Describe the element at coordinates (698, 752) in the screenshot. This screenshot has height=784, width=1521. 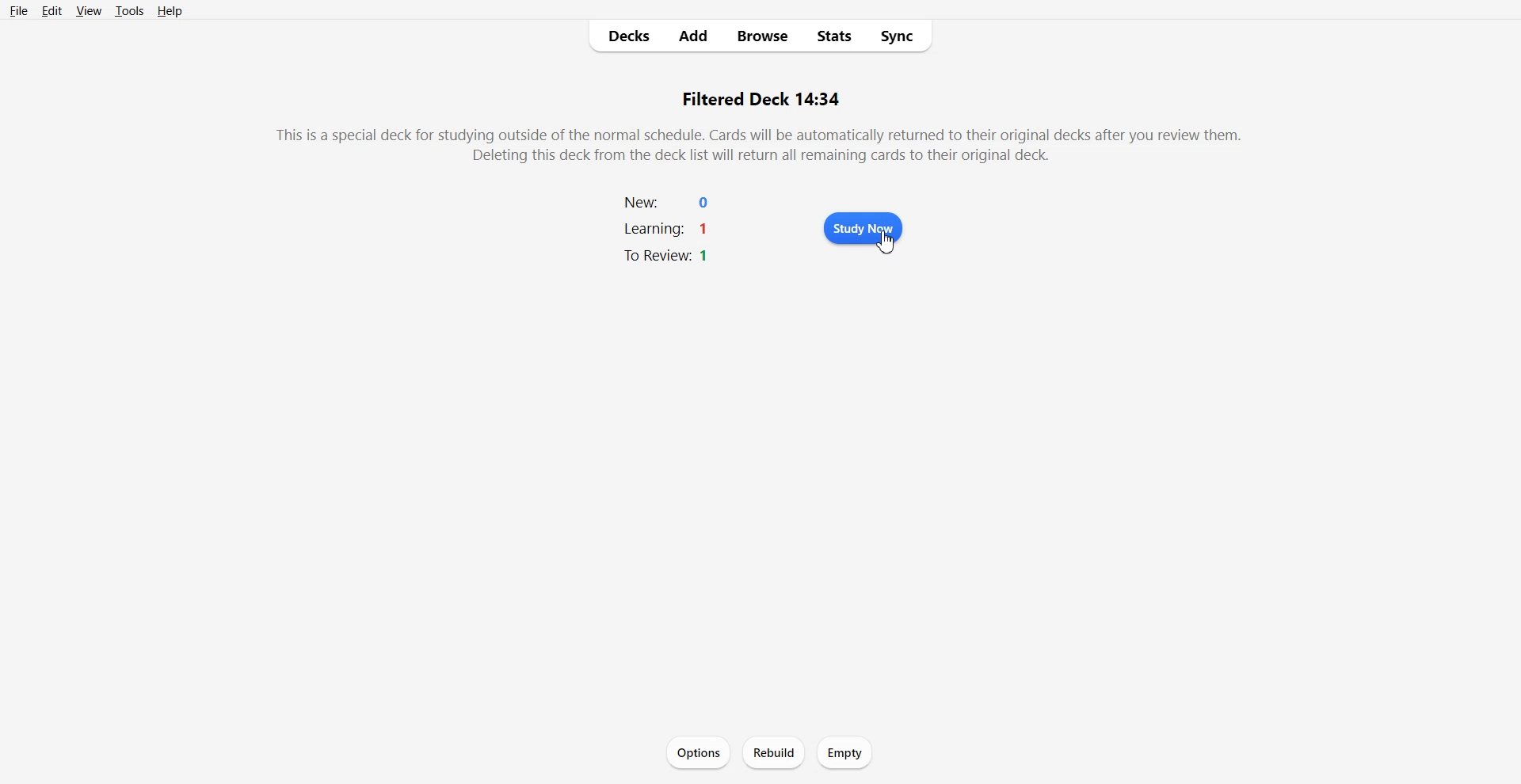
I see `Options` at that location.